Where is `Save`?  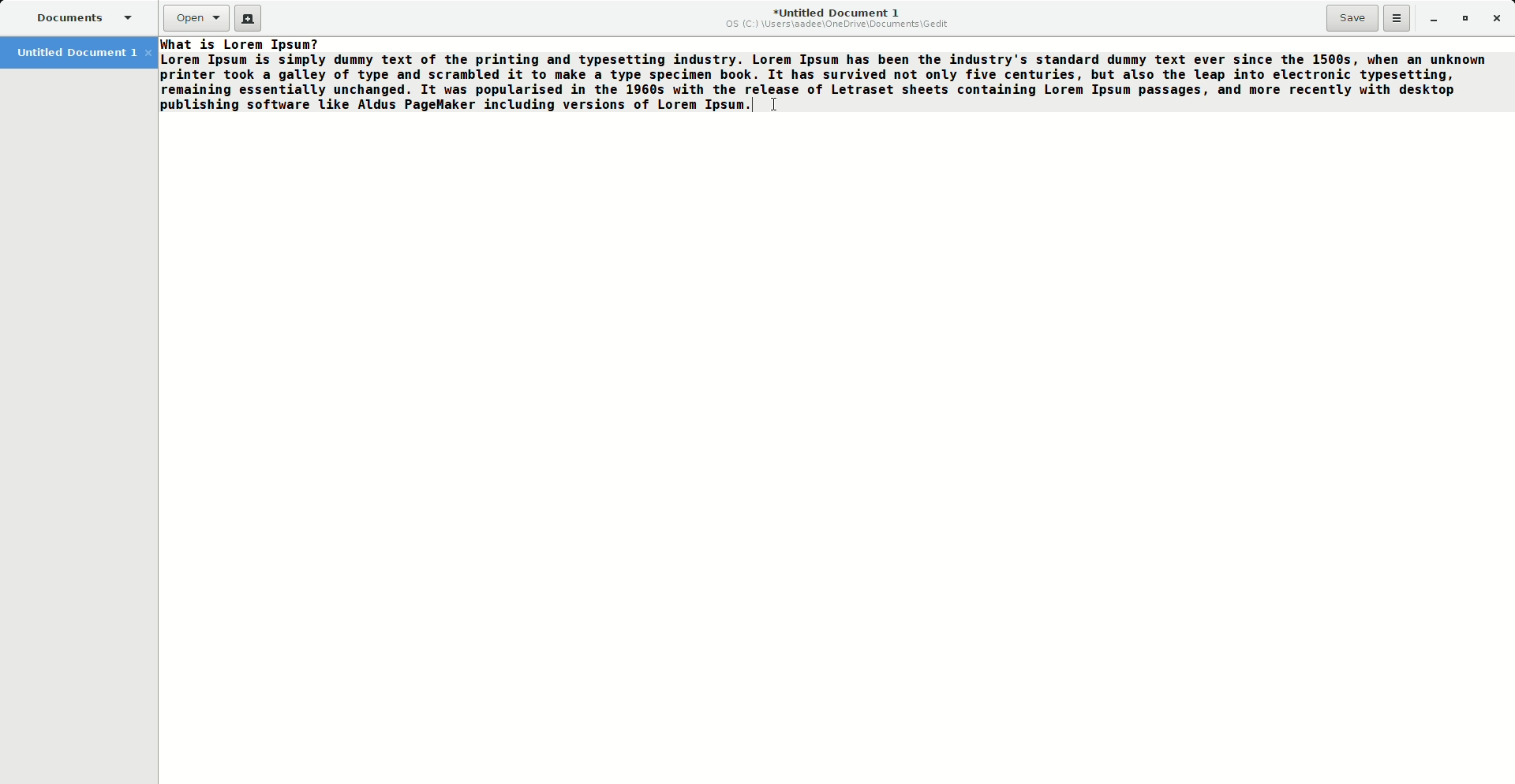 Save is located at coordinates (1352, 18).